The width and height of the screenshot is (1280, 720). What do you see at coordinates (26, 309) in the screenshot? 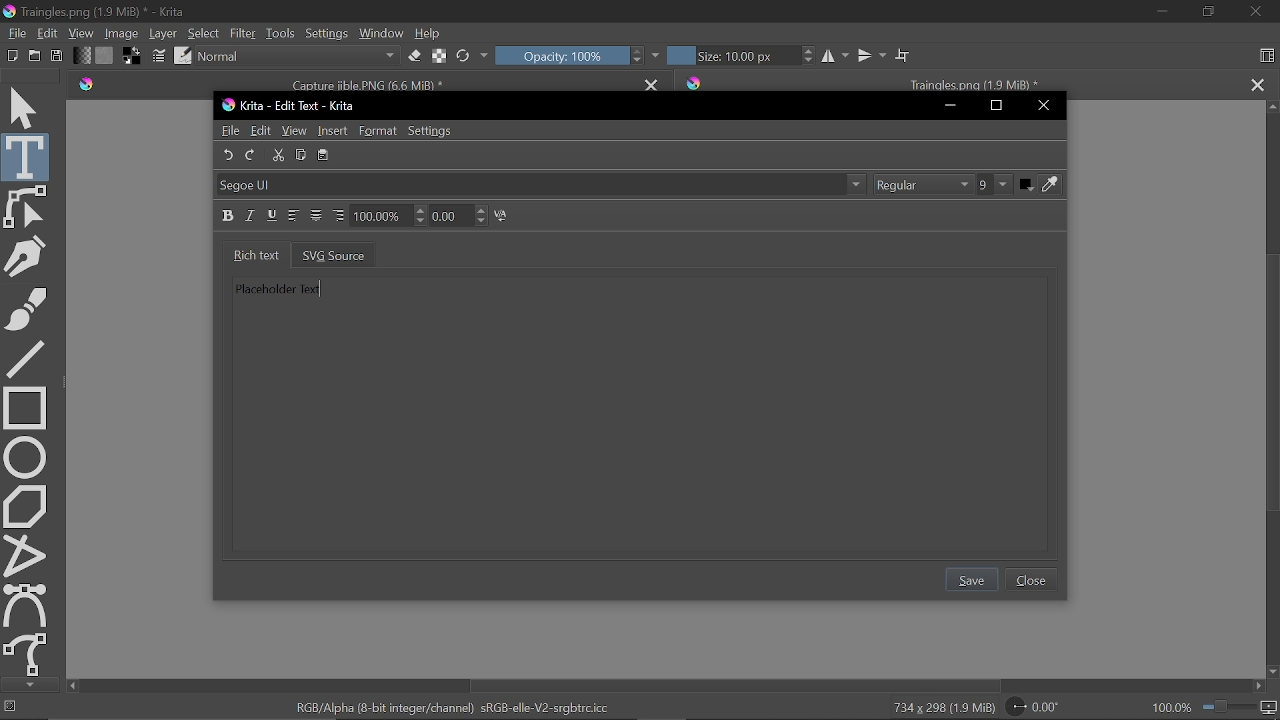
I see `Freehand brush` at bounding box center [26, 309].